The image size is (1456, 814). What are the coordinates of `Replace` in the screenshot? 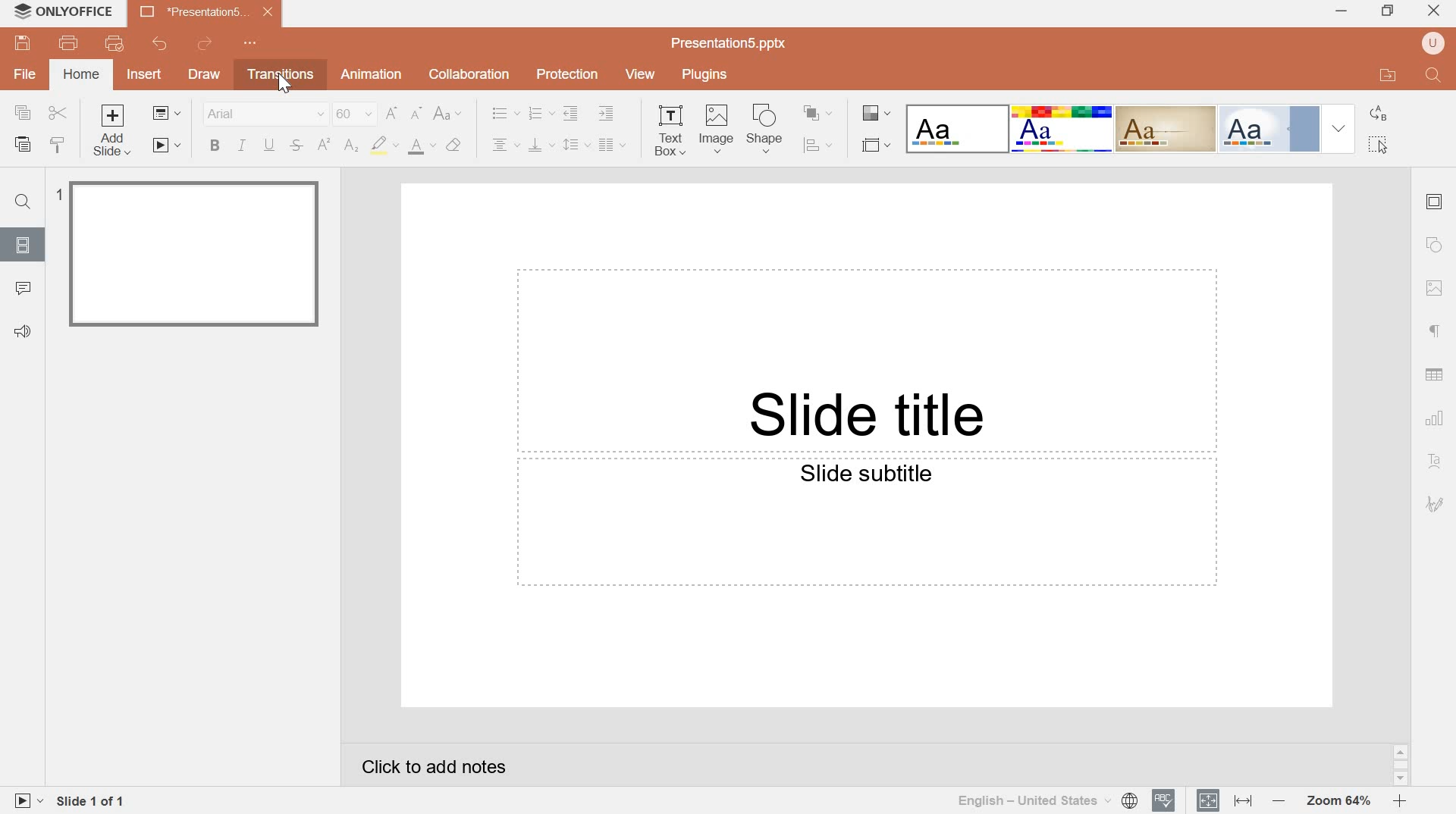 It's located at (1377, 114).